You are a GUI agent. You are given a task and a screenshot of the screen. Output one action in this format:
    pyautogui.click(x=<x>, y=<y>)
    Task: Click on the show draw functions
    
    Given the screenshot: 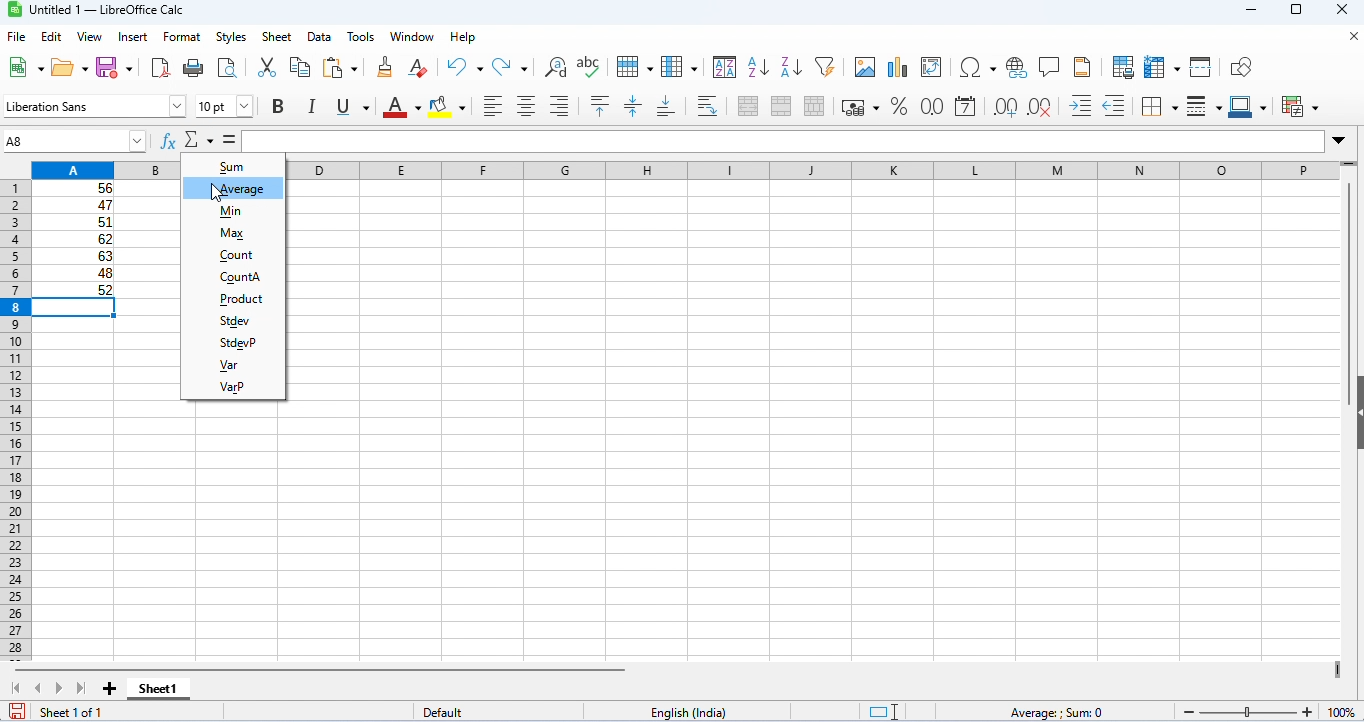 What is the action you would take?
    pyautogui.click(x=1242, y=68)
    